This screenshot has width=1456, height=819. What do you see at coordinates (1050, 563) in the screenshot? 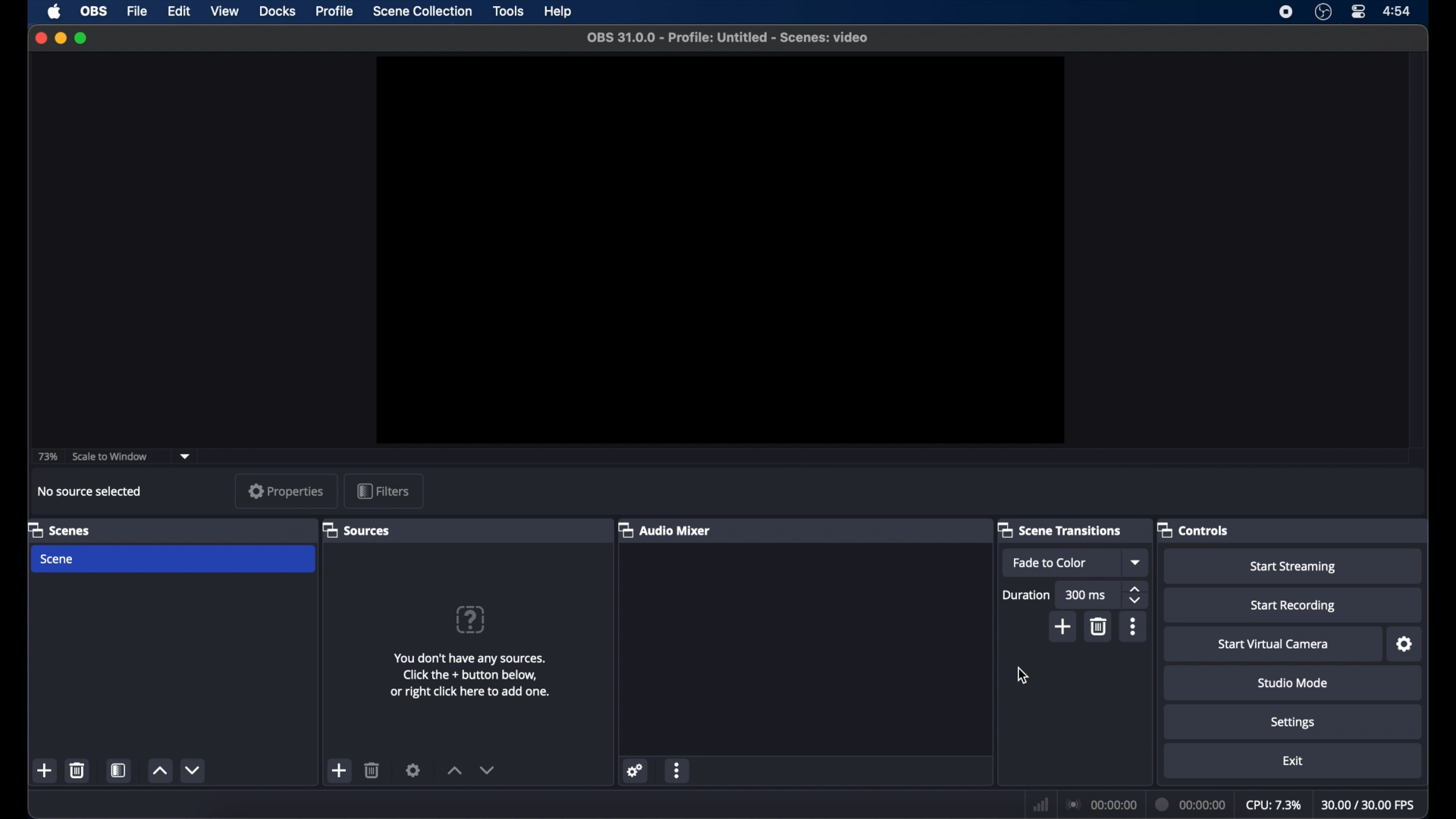
I see `yadeto color` at bounding box center [1050, 563].